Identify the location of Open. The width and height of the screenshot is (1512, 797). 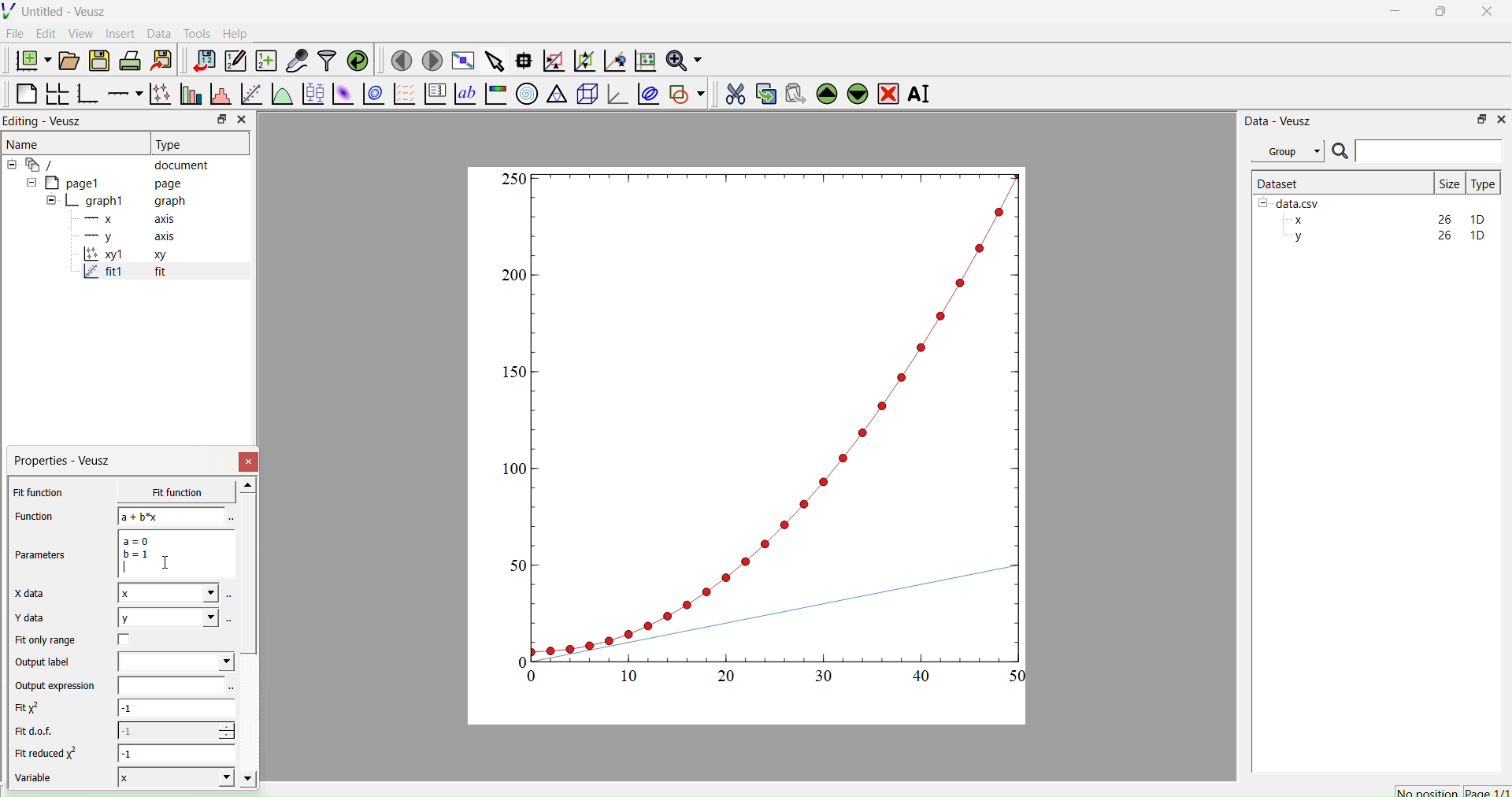
(66, 61).